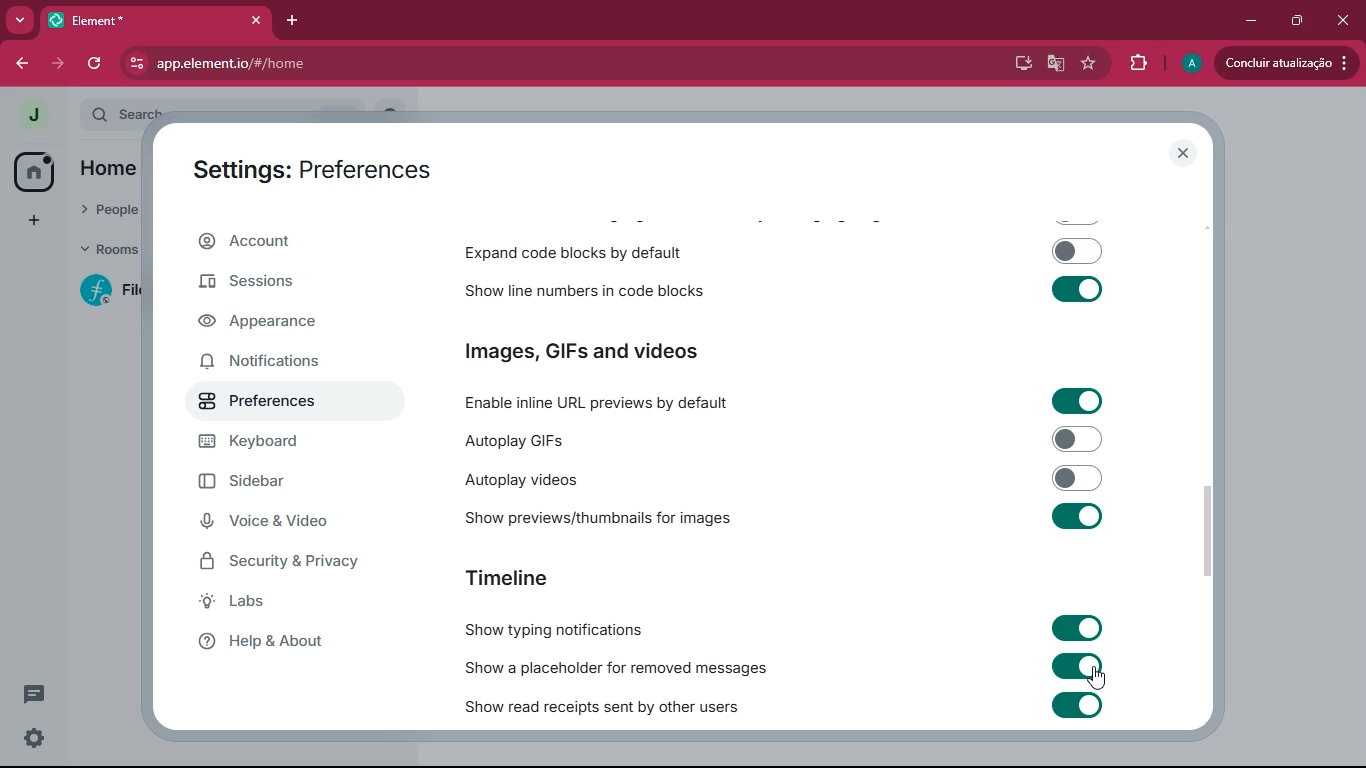 This screenshot has height=768, width=1366. I want to click on toggle on/off, so click(1077, 251).